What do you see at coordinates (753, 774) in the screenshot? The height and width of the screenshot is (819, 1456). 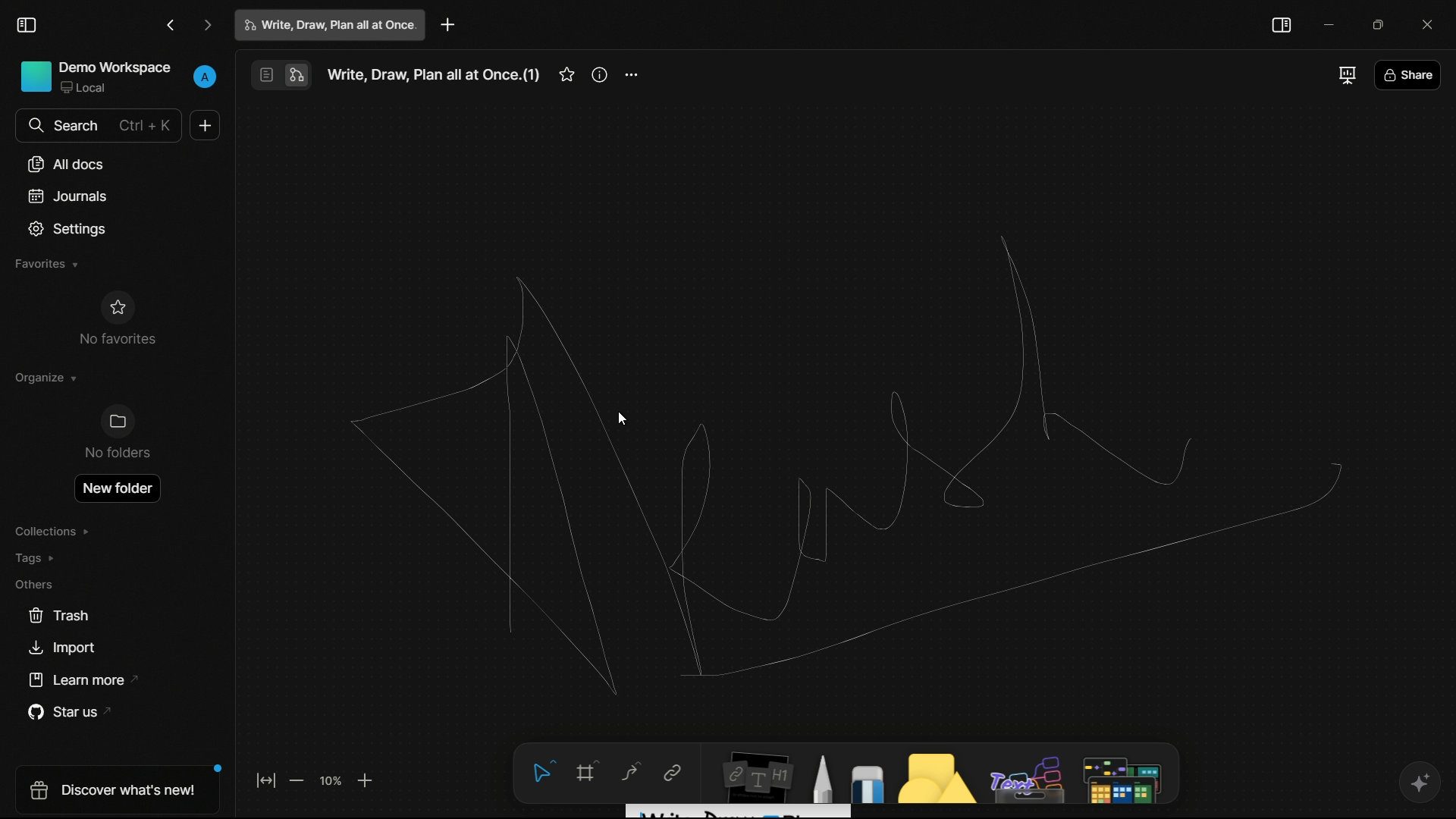 I see `notes` at bounding box center [753, 774].